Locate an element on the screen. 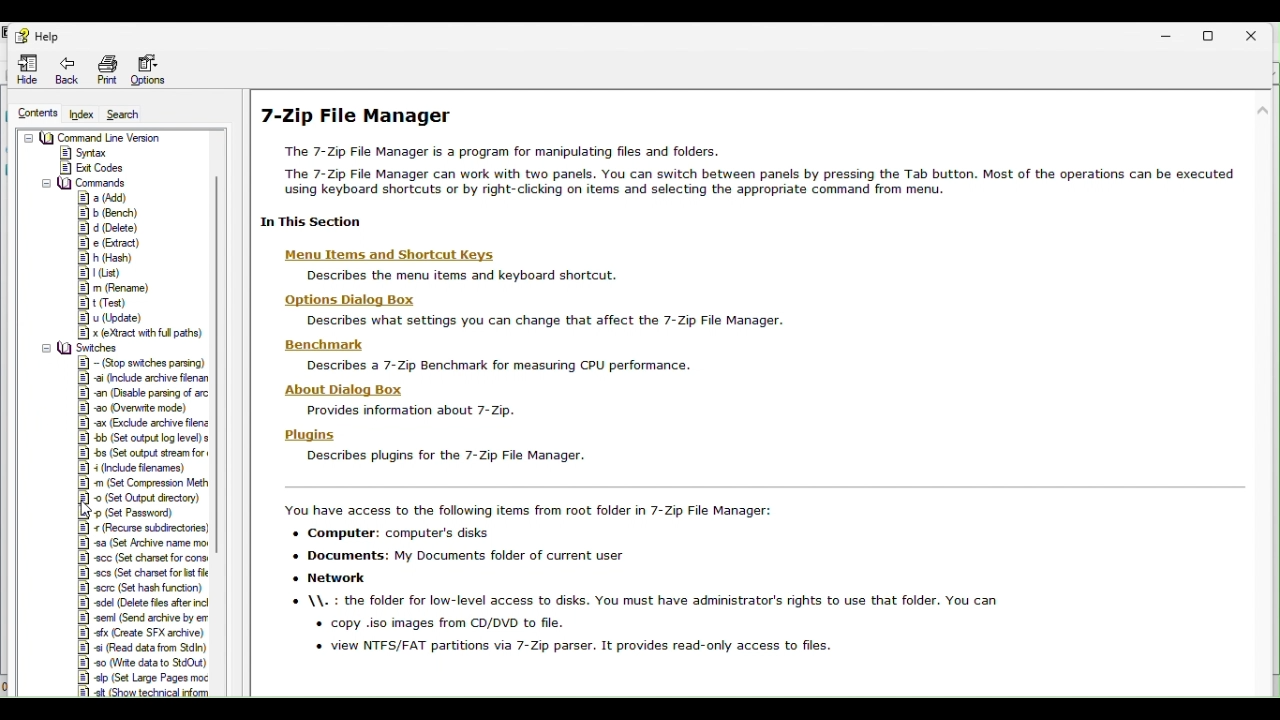 The width and height of the screenshot is (1280, 720). stop is located at coordinates (142, 363).